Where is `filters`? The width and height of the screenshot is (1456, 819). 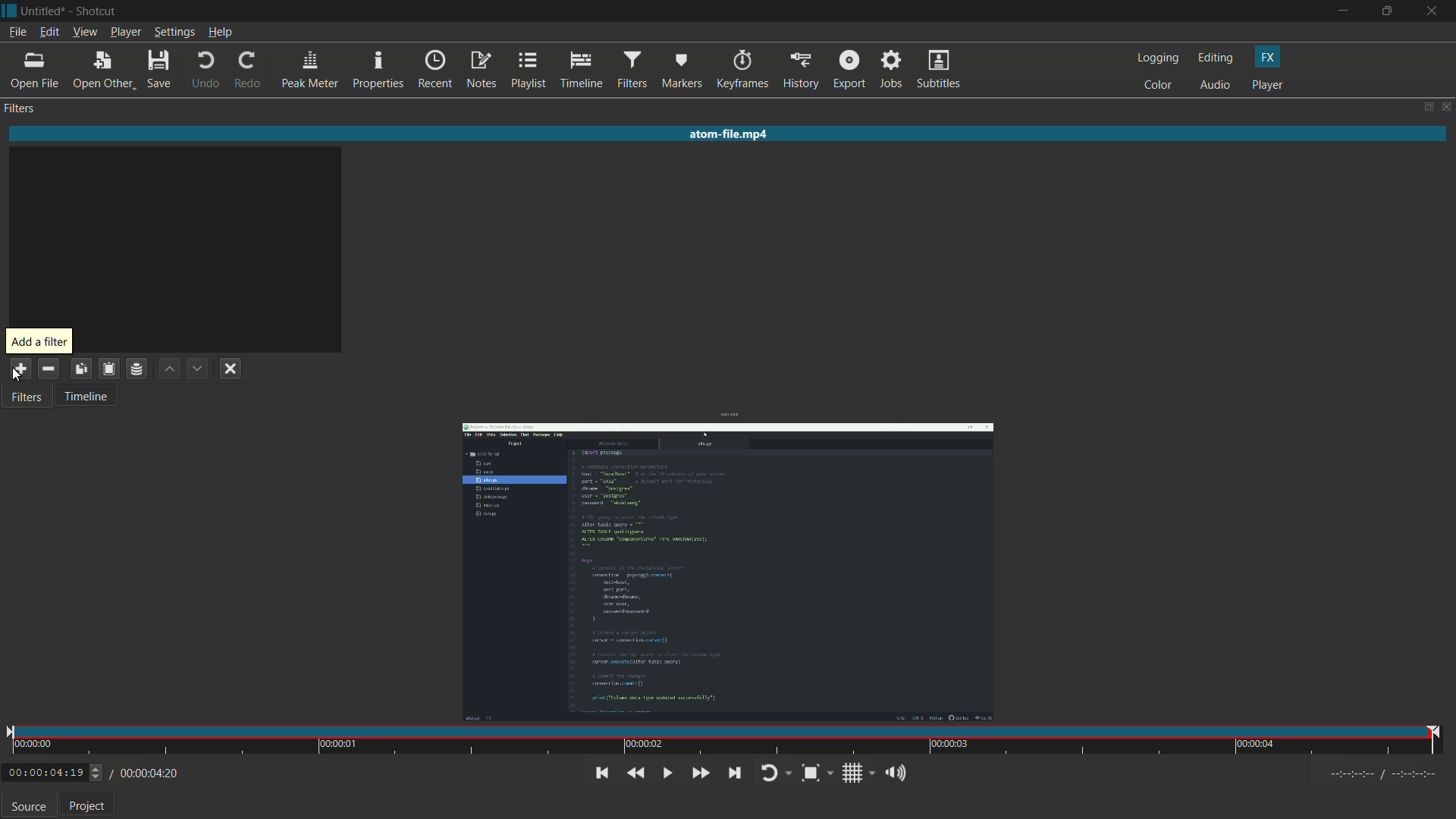 filters is located at coordinates (26, 398).